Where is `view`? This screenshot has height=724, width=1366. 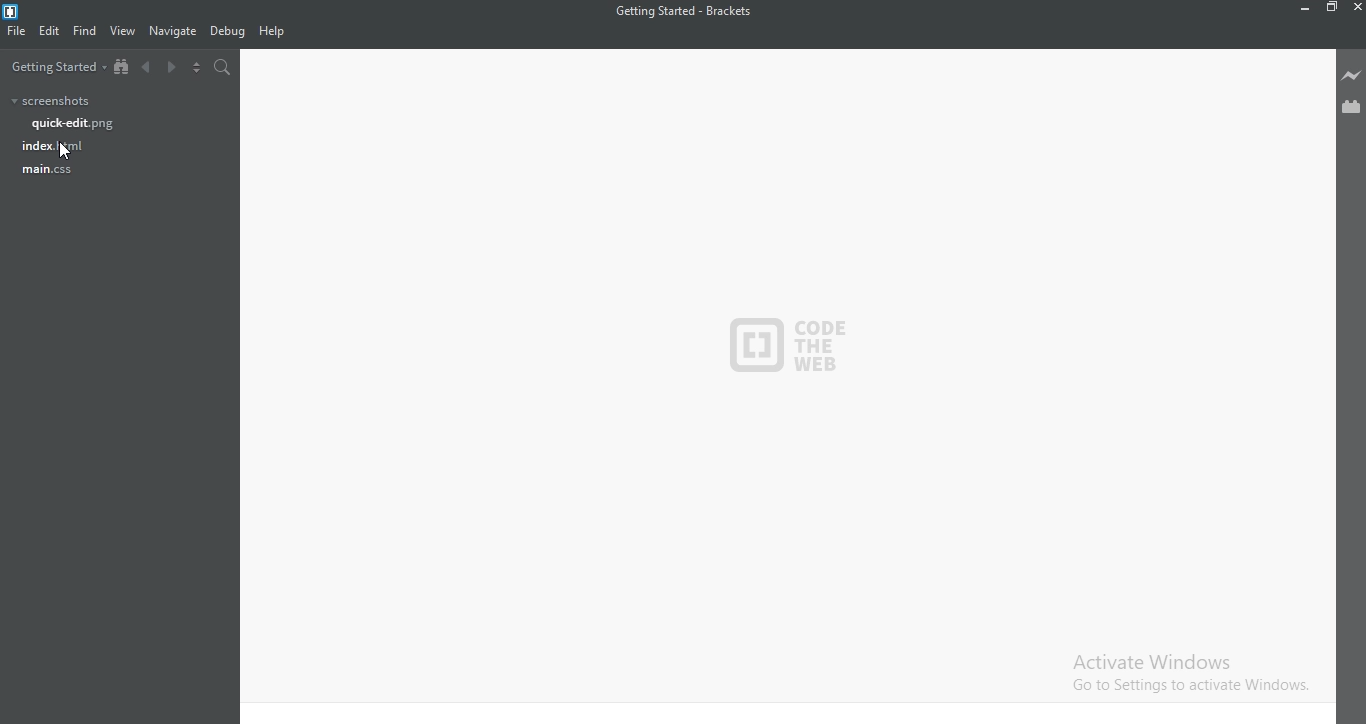 view is located at coordinates (124, 31).